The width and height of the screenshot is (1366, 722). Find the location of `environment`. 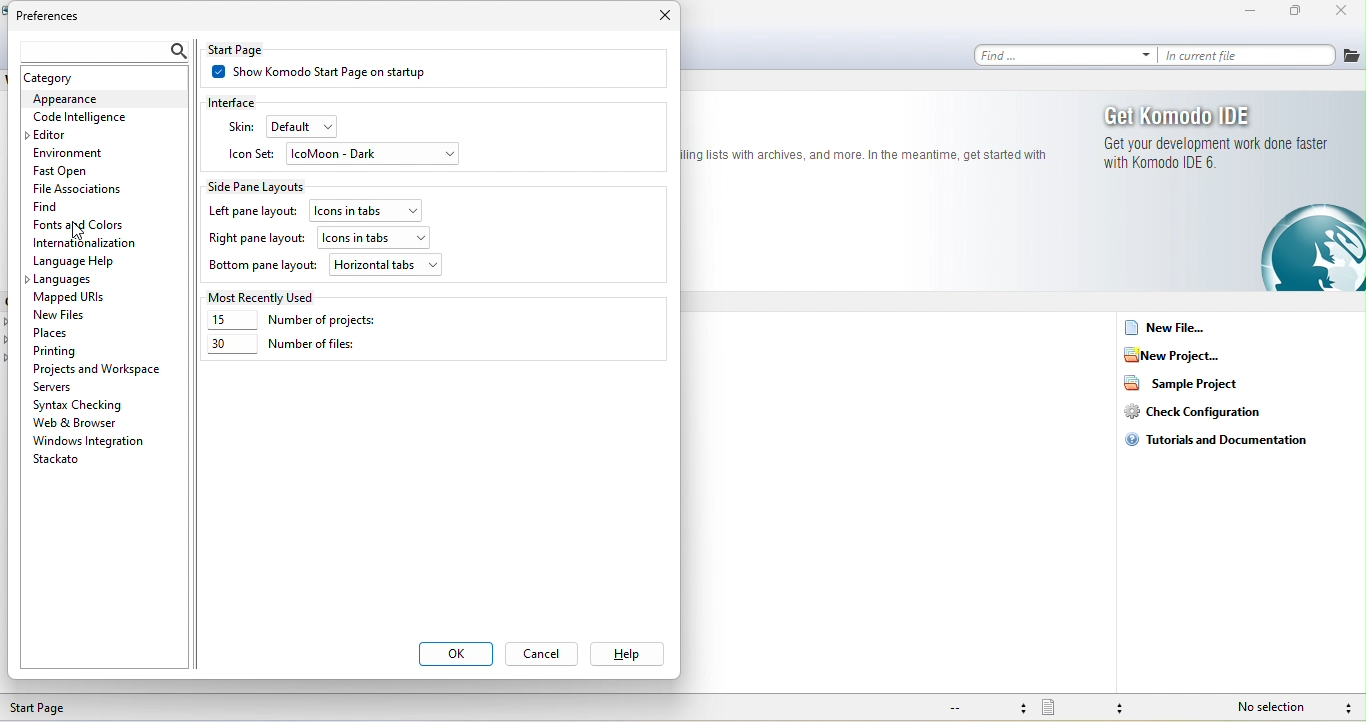

environment is located at coordinates (85, 151).